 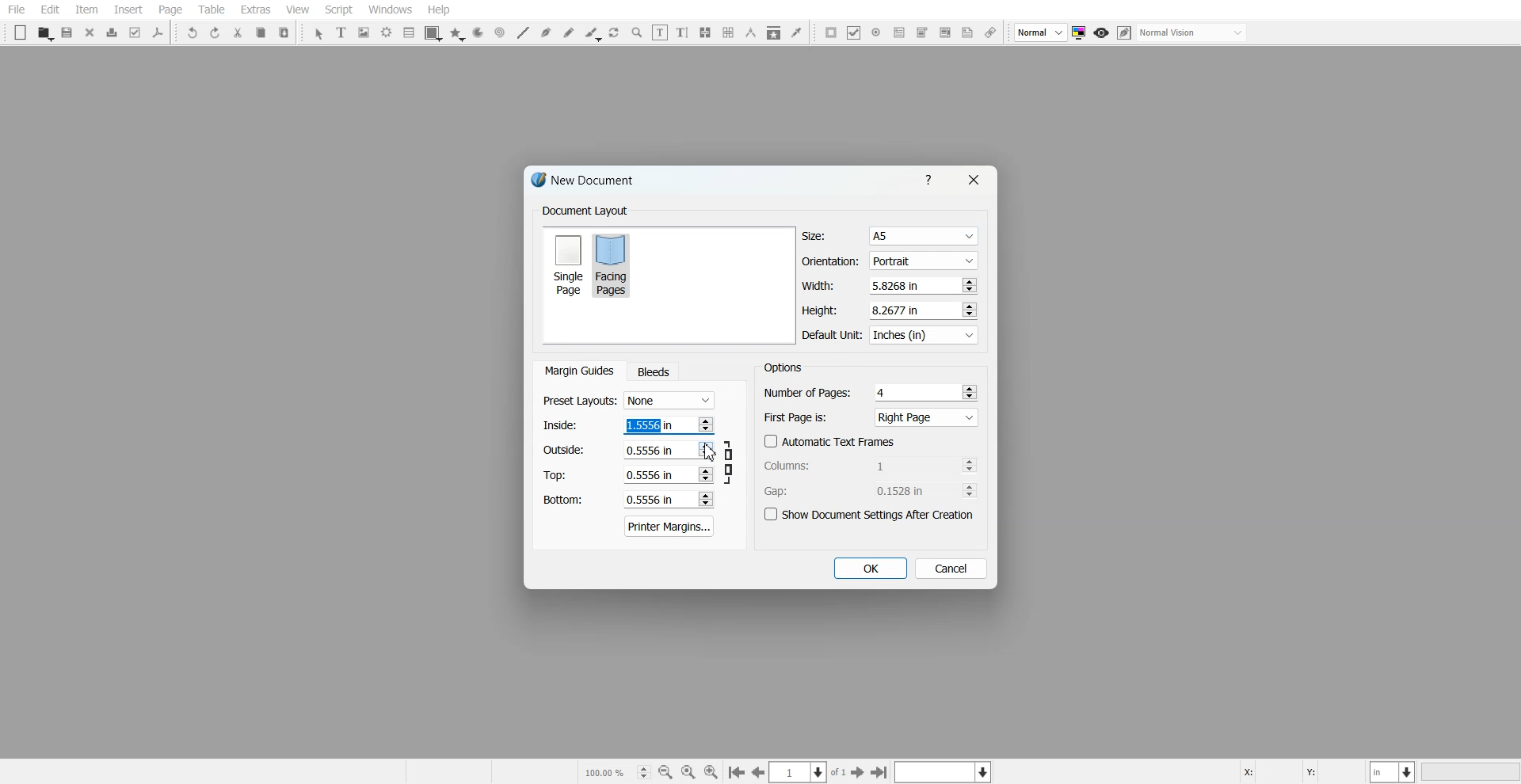 I want to click on Column adjuster, so click(x=871, y=465).